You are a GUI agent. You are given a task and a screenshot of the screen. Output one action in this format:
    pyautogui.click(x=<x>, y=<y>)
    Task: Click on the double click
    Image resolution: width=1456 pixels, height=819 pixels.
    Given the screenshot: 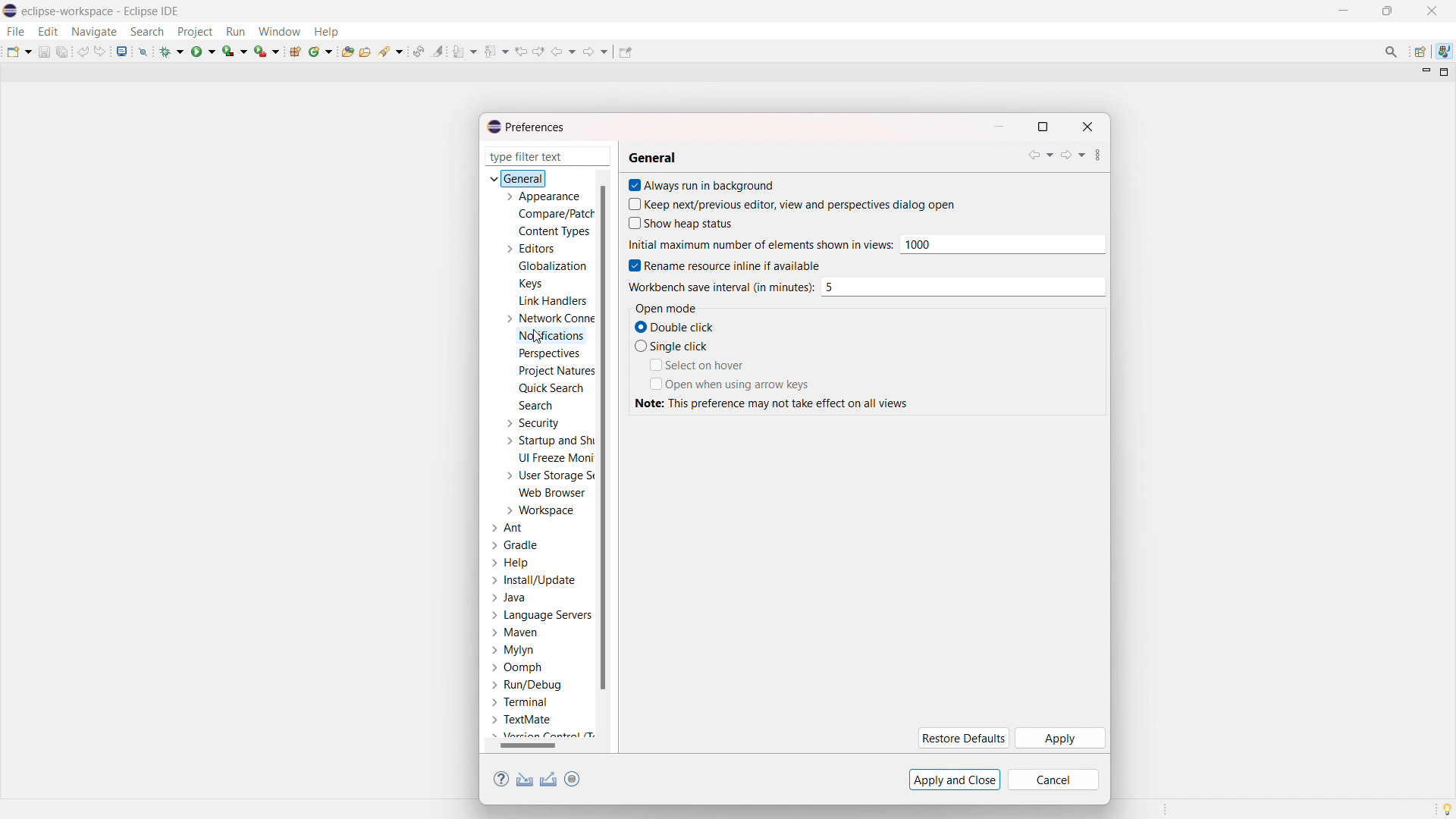 What is the action you would take?
    pyautogui.click(x=685, y=327)
    